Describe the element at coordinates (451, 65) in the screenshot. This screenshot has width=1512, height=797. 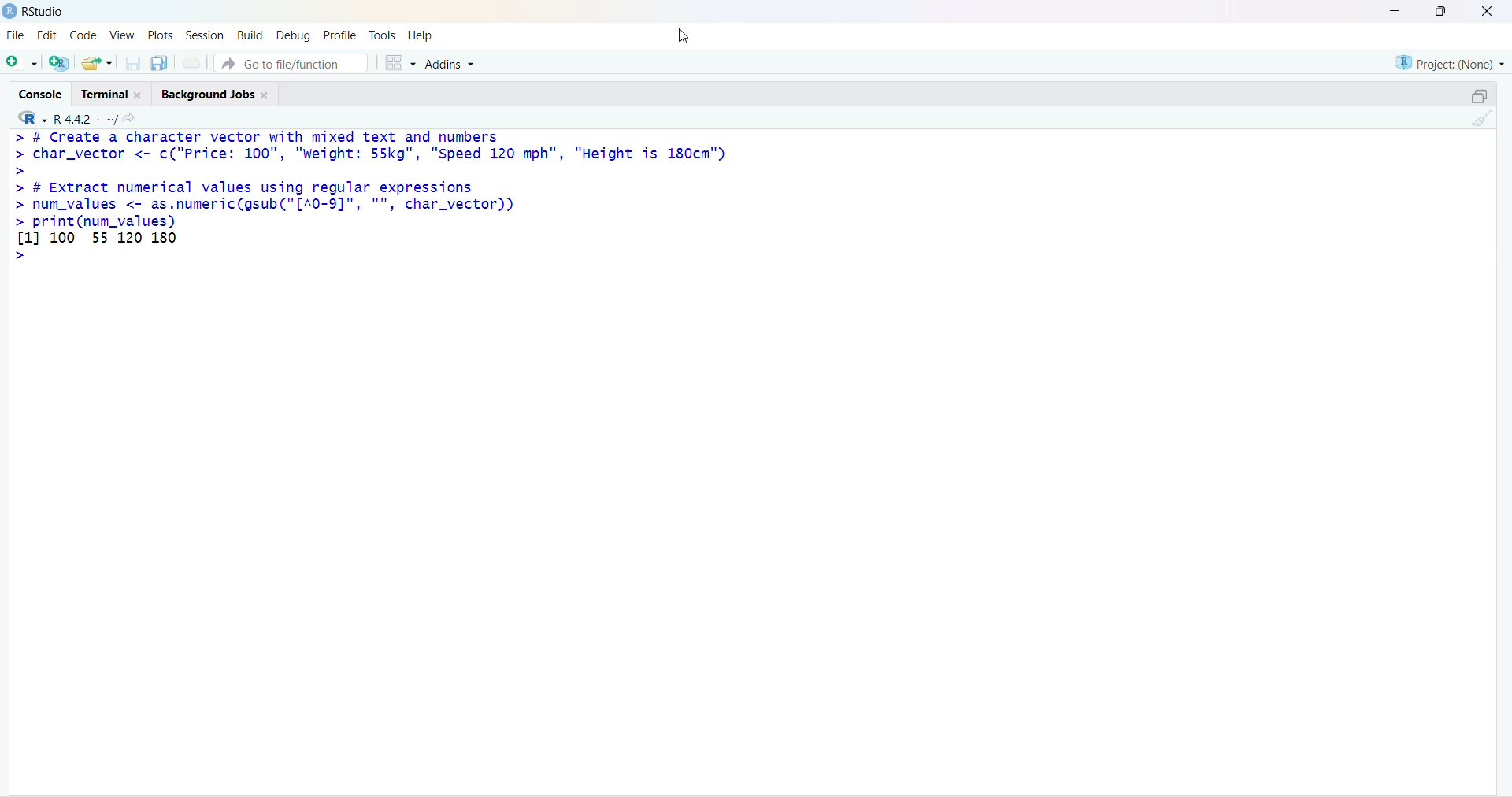
I see `Addins` at that location.